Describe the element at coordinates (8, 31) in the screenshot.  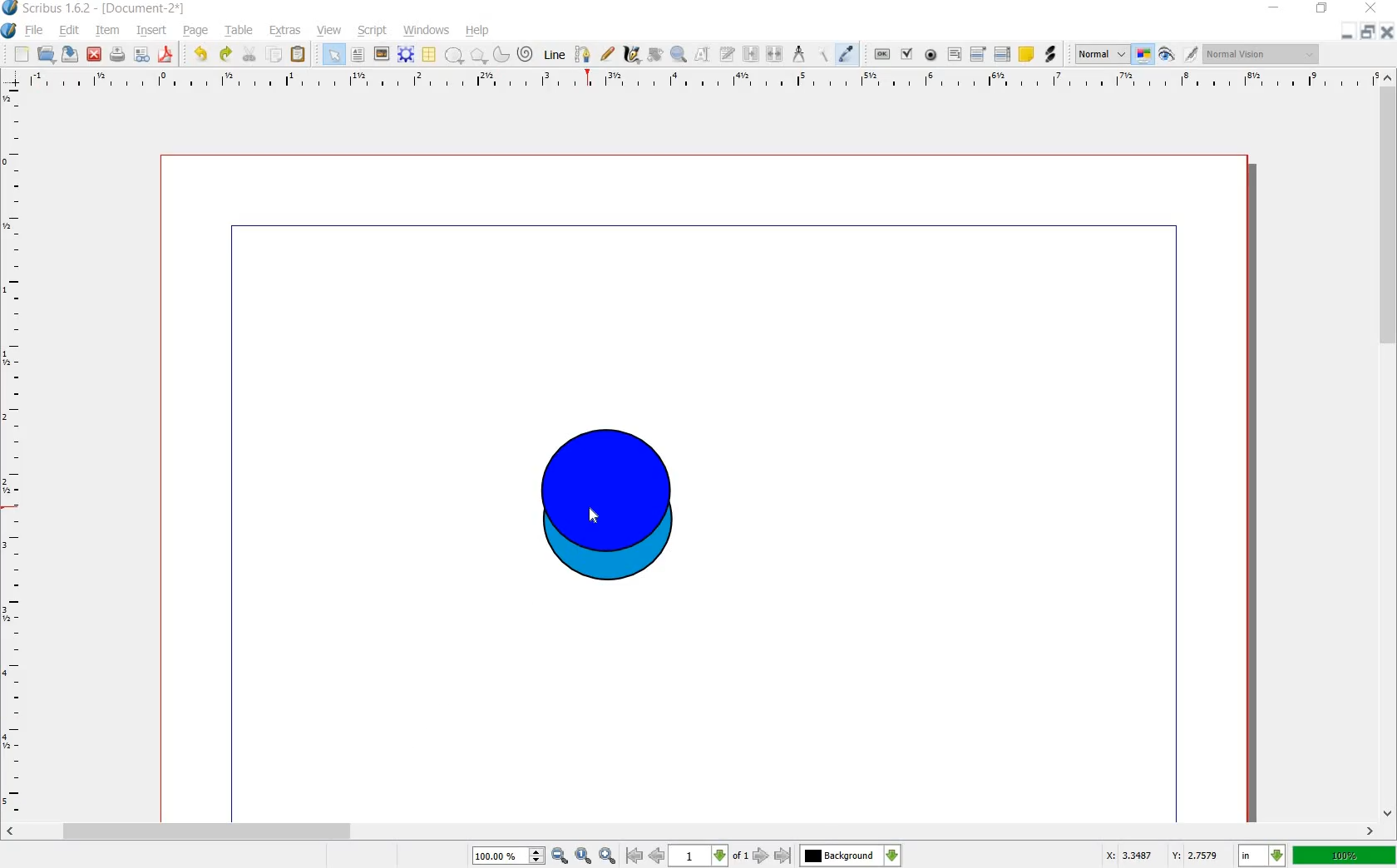
I see `system logo` at that location.